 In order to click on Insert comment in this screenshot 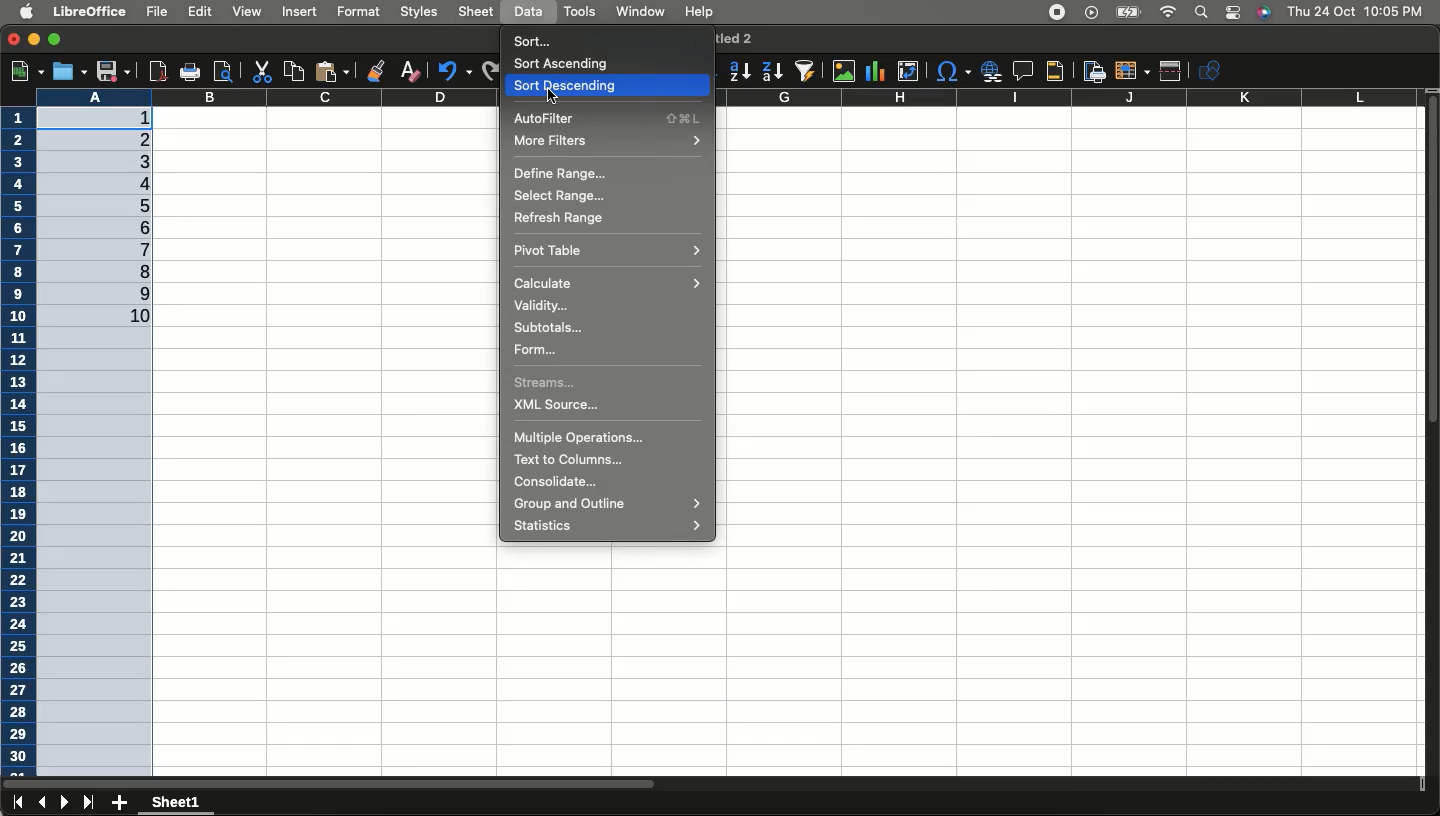, I will do `click(1019, 71)`.